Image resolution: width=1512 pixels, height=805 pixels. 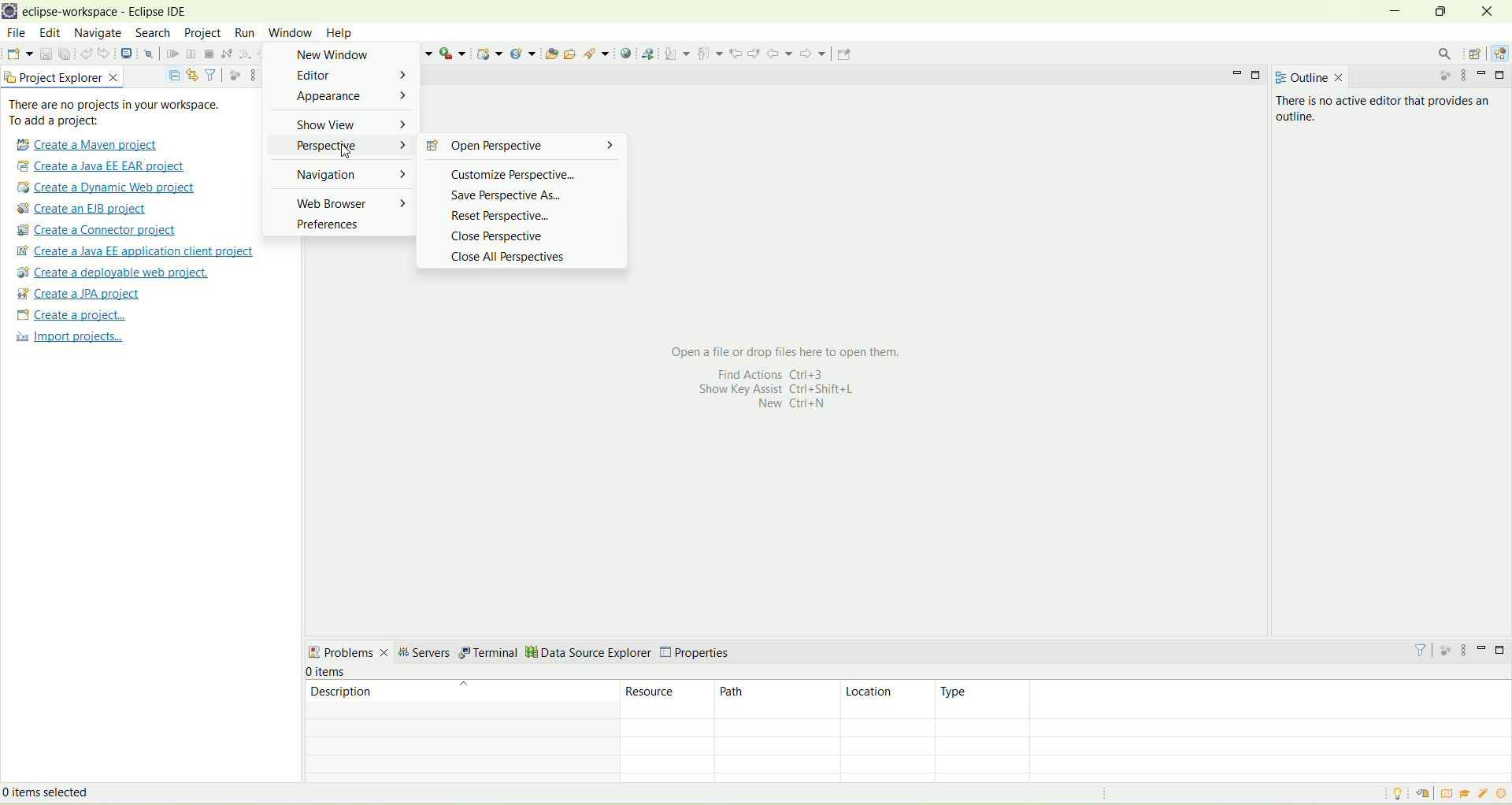 I want to click on disconnect, so click(x=226, y=54).